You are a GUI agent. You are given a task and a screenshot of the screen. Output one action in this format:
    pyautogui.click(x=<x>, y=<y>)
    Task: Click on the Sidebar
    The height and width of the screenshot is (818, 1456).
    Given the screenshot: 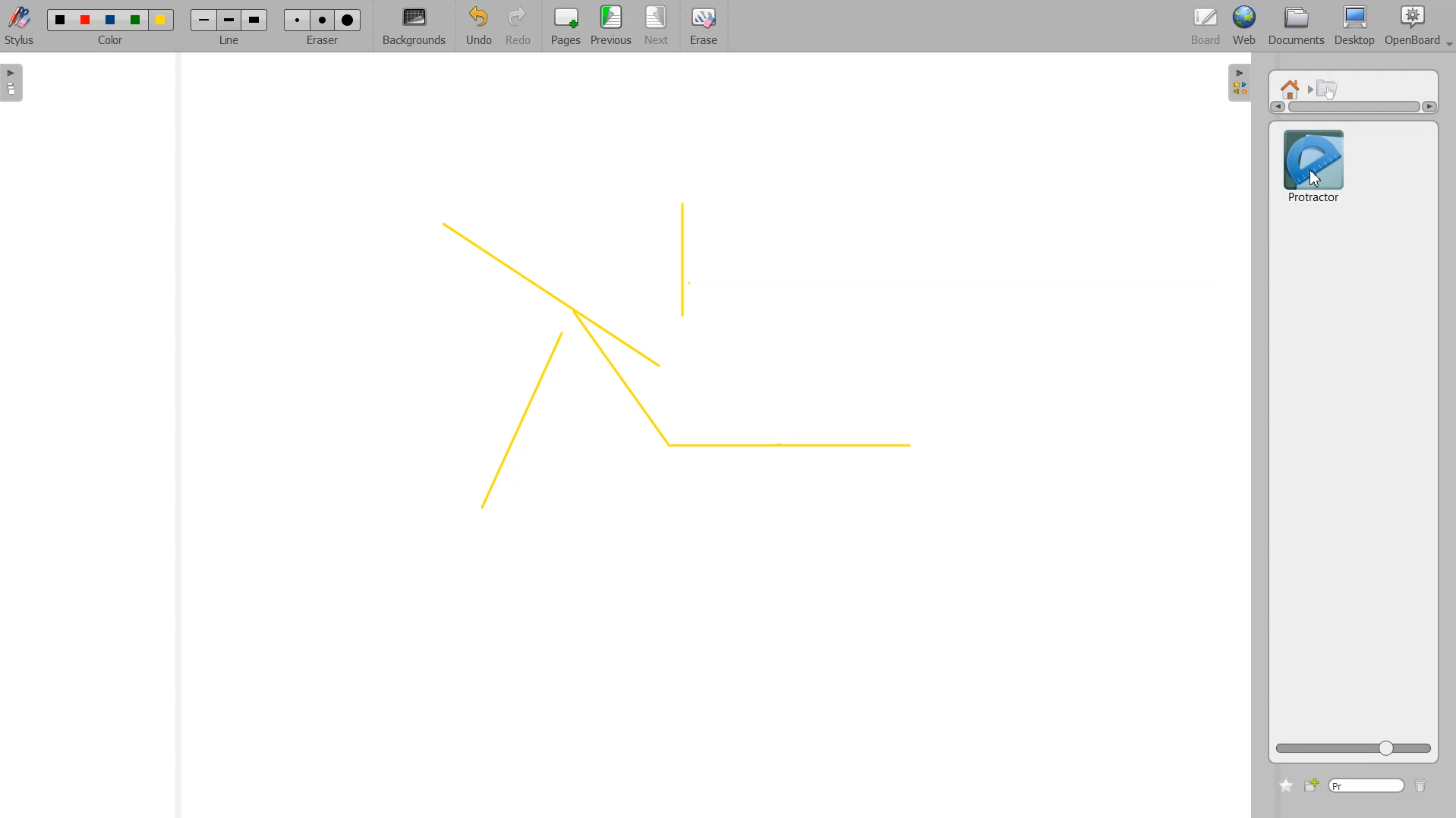 What is the action you would take?
    pyautogui.click(x=1240, y=81)
    